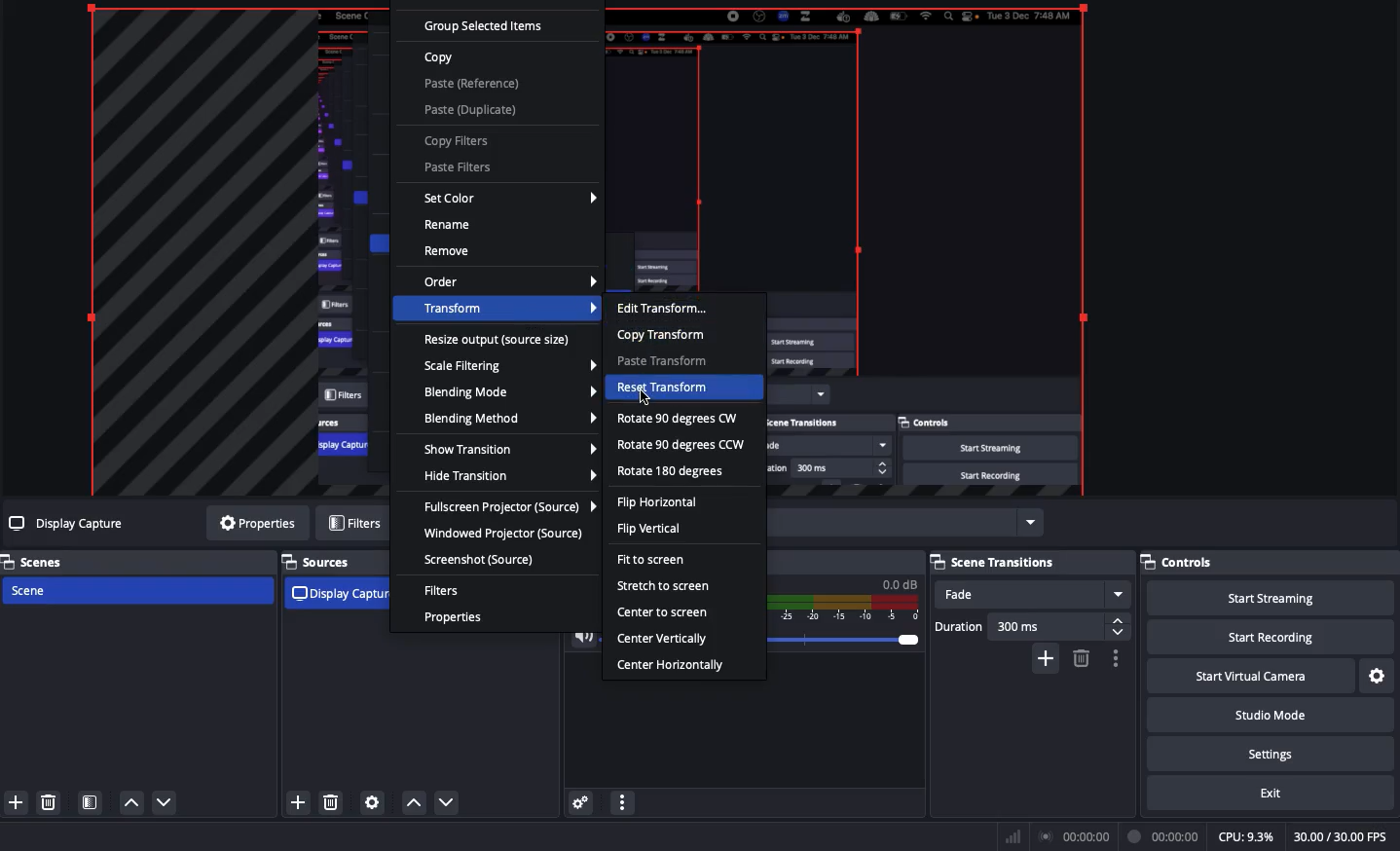 The height and width of the screenshot is (851, 1400). What do you see at coordinates (1074, 836) in the screenshot?
I see `Broadcast` at bounding box center [1074, 836].